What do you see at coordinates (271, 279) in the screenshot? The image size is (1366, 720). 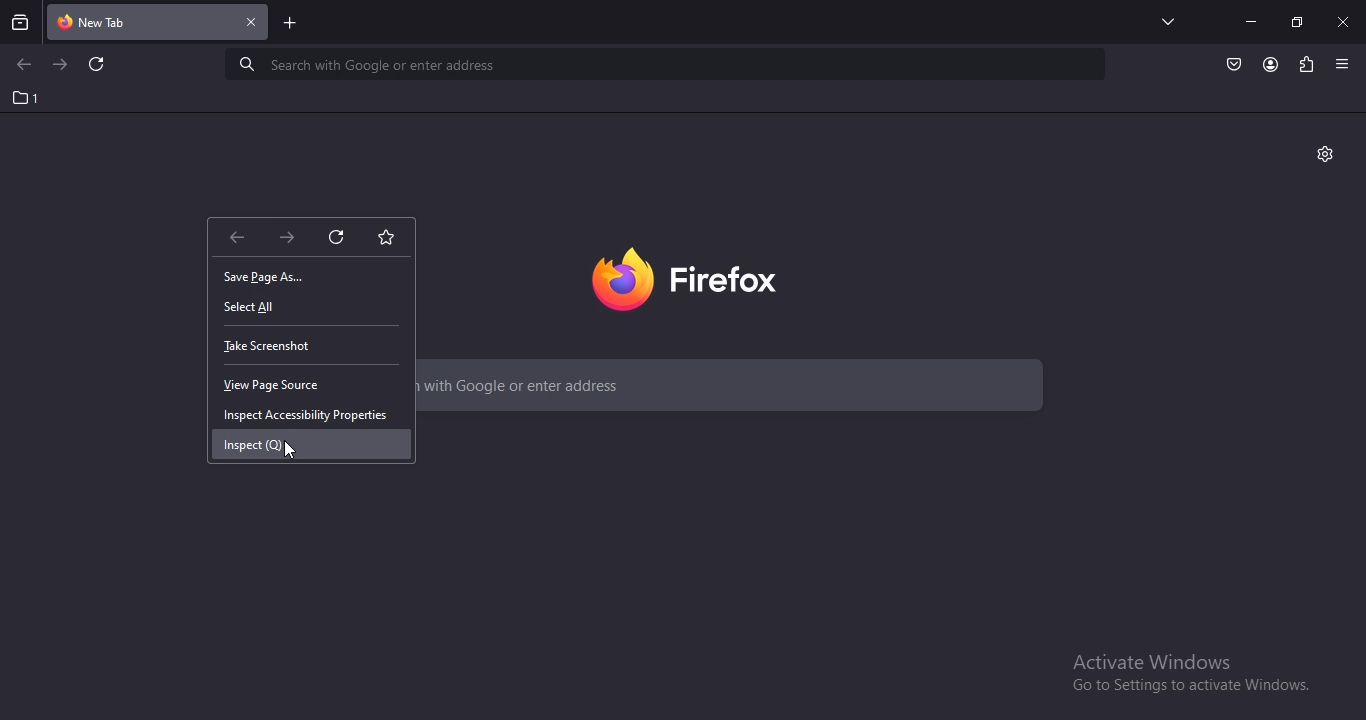 I see `save page as` at bounding box center [271, 279].